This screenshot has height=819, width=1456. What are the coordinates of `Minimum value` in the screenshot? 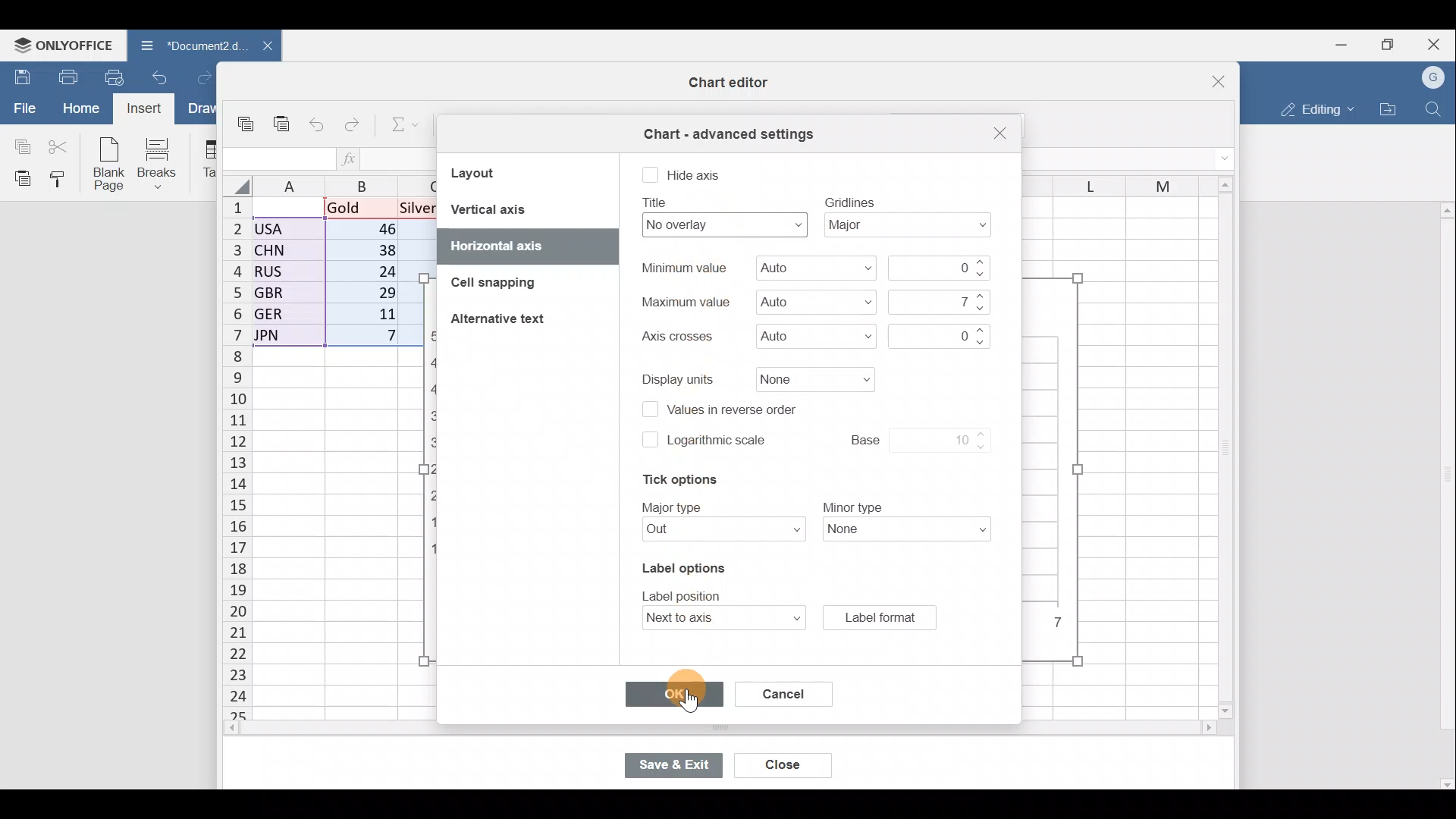 It's located at (943, 268).